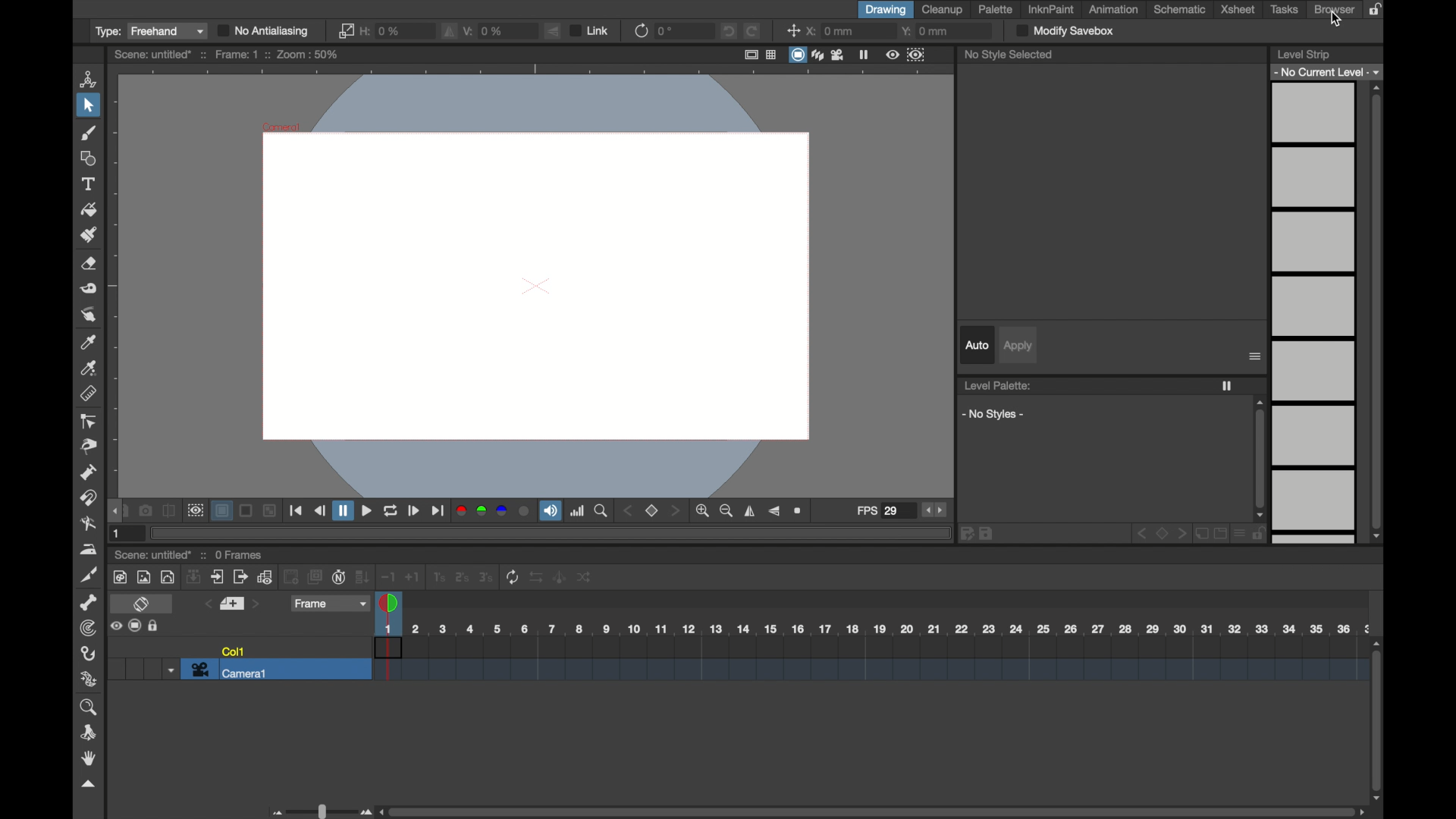  Describe the element at coordinates (714, 511) in the screenshot. I see `zoom controls` at that location.